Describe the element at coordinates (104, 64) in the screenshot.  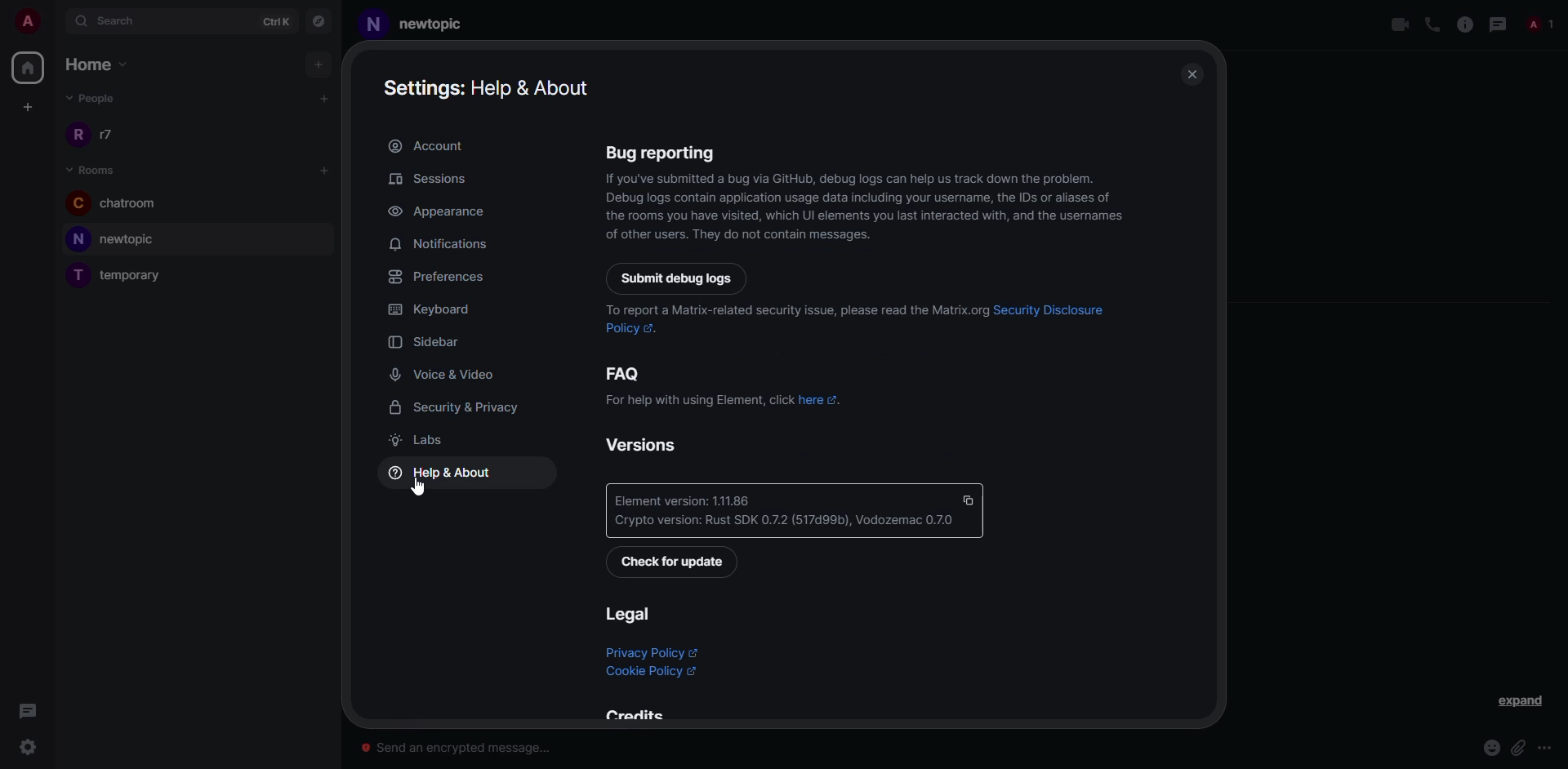
I see `home` at that location.